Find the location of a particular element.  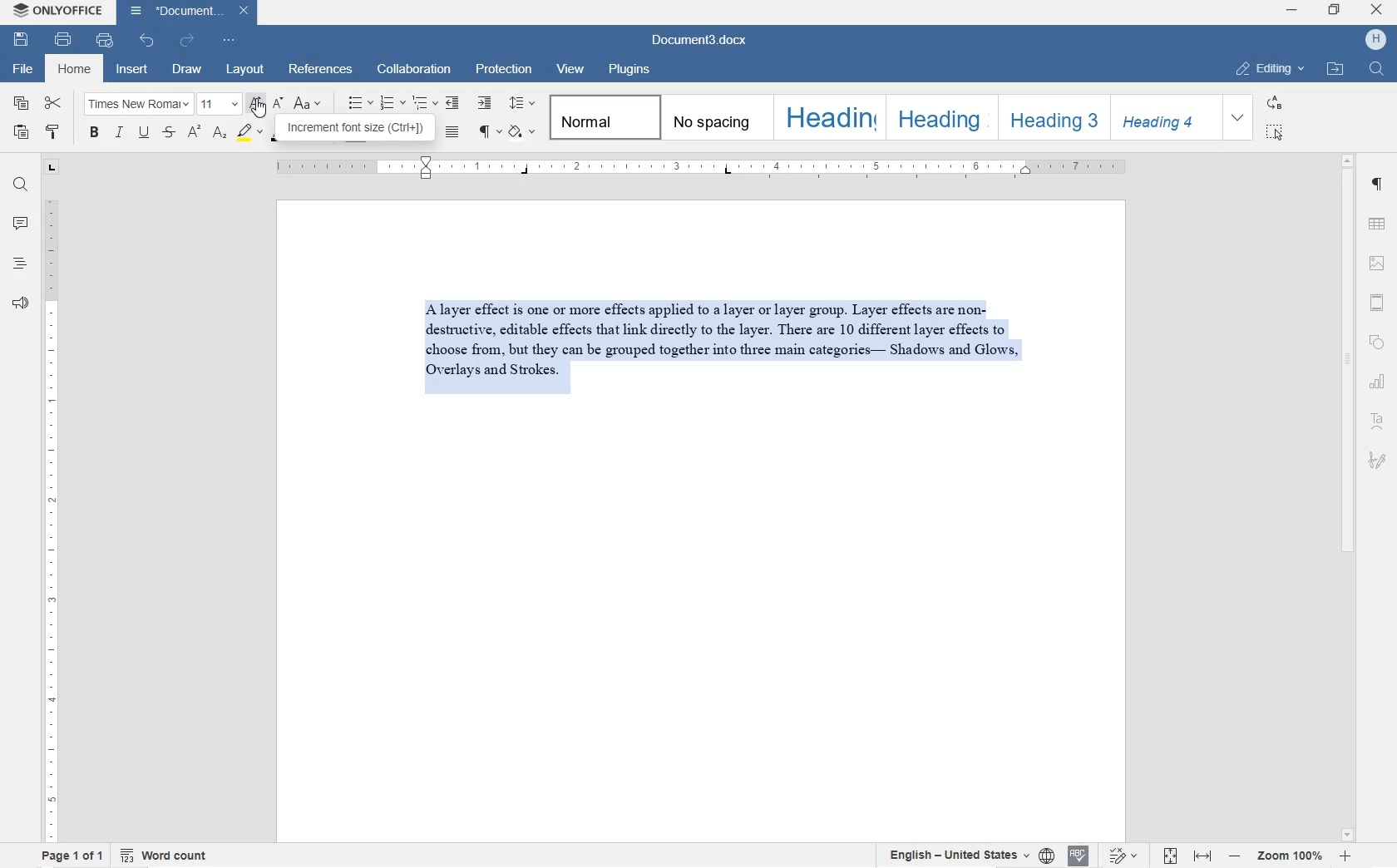

insert is located at coordinates (133, 68).